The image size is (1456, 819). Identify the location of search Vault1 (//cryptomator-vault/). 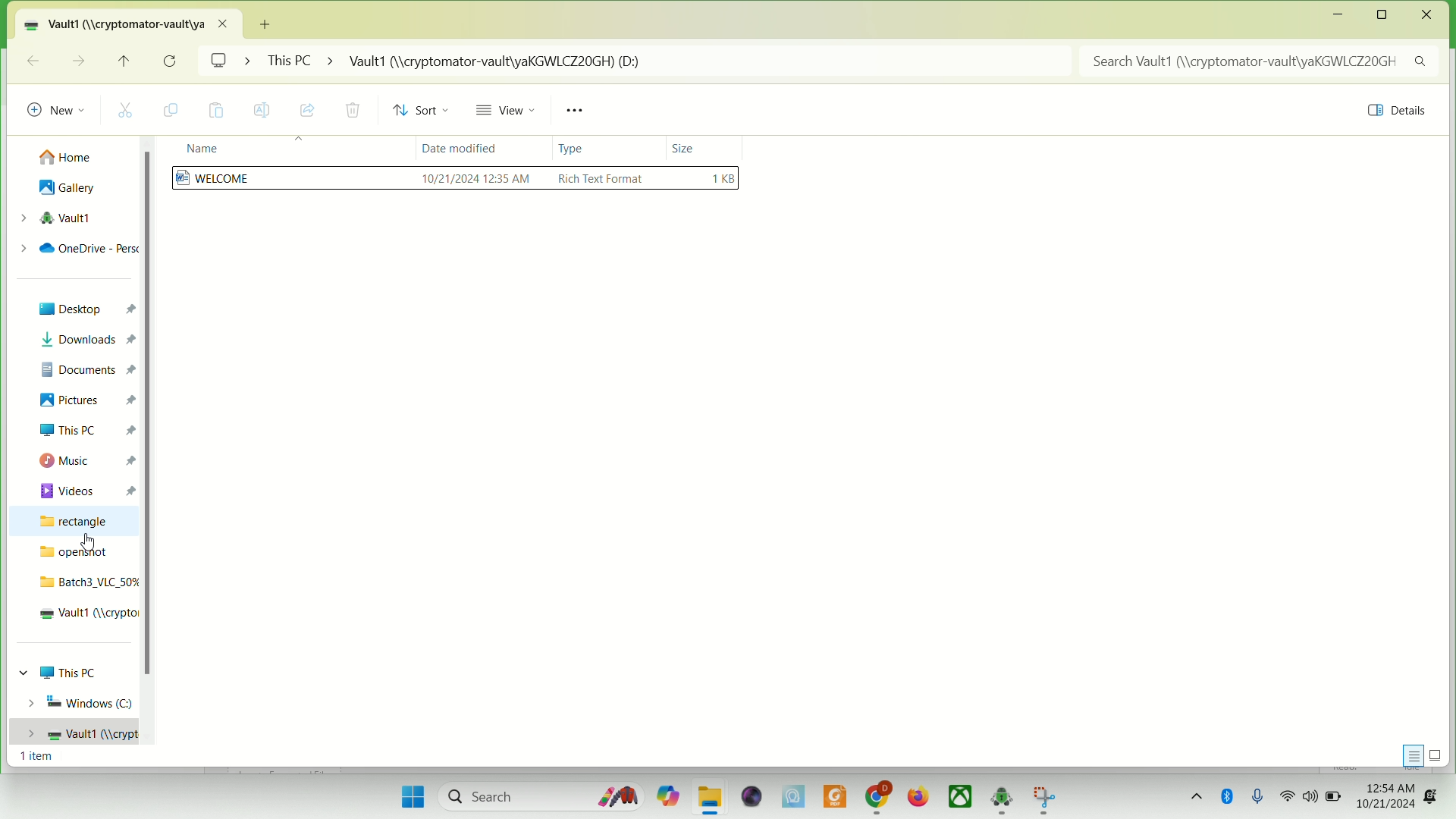
(1263, 61).